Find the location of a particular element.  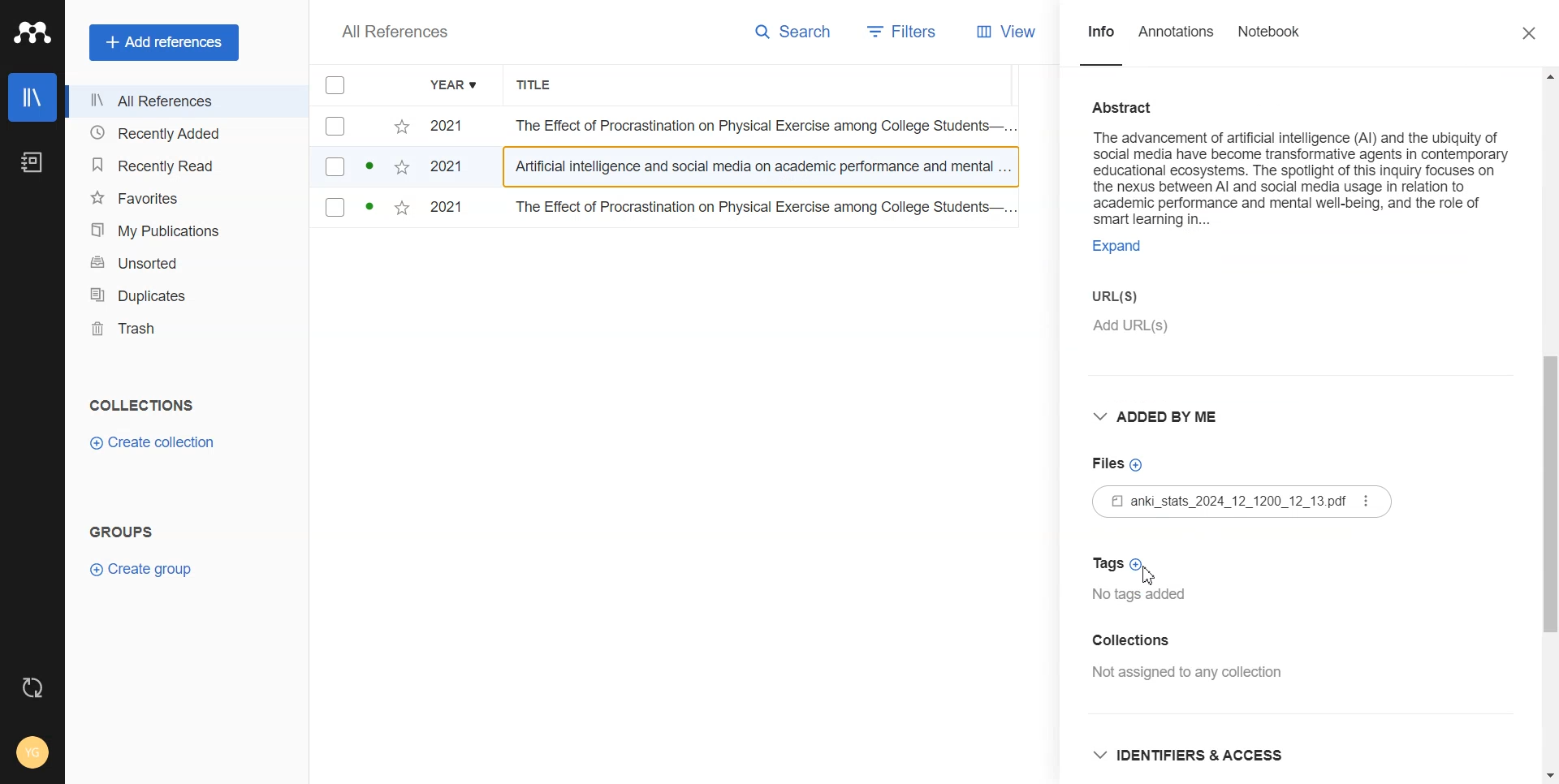

checkbox is located at coordinates (363, 168).